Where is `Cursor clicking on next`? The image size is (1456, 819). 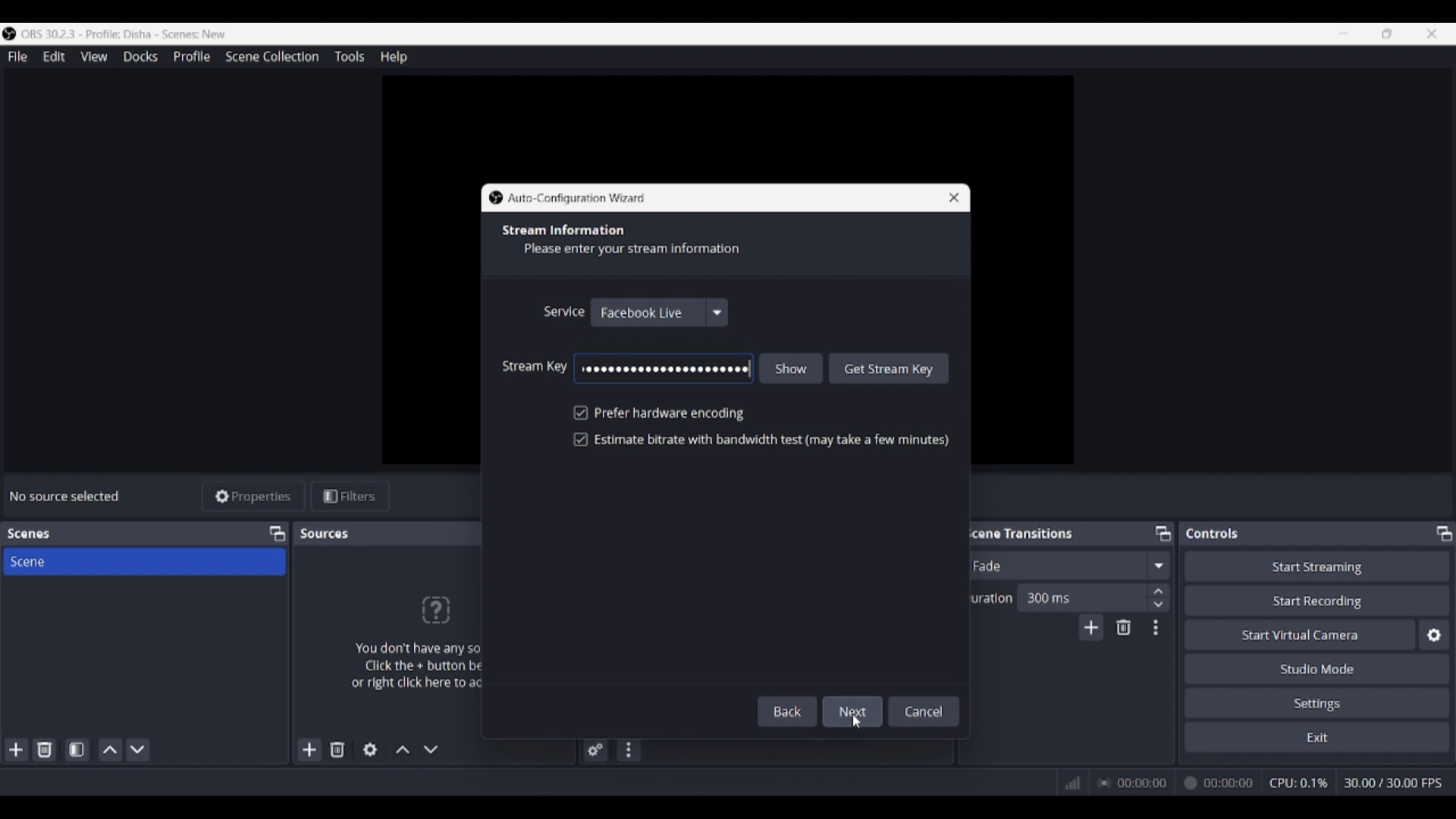 Cursor clicking on next is located at coordinates (855, 720).